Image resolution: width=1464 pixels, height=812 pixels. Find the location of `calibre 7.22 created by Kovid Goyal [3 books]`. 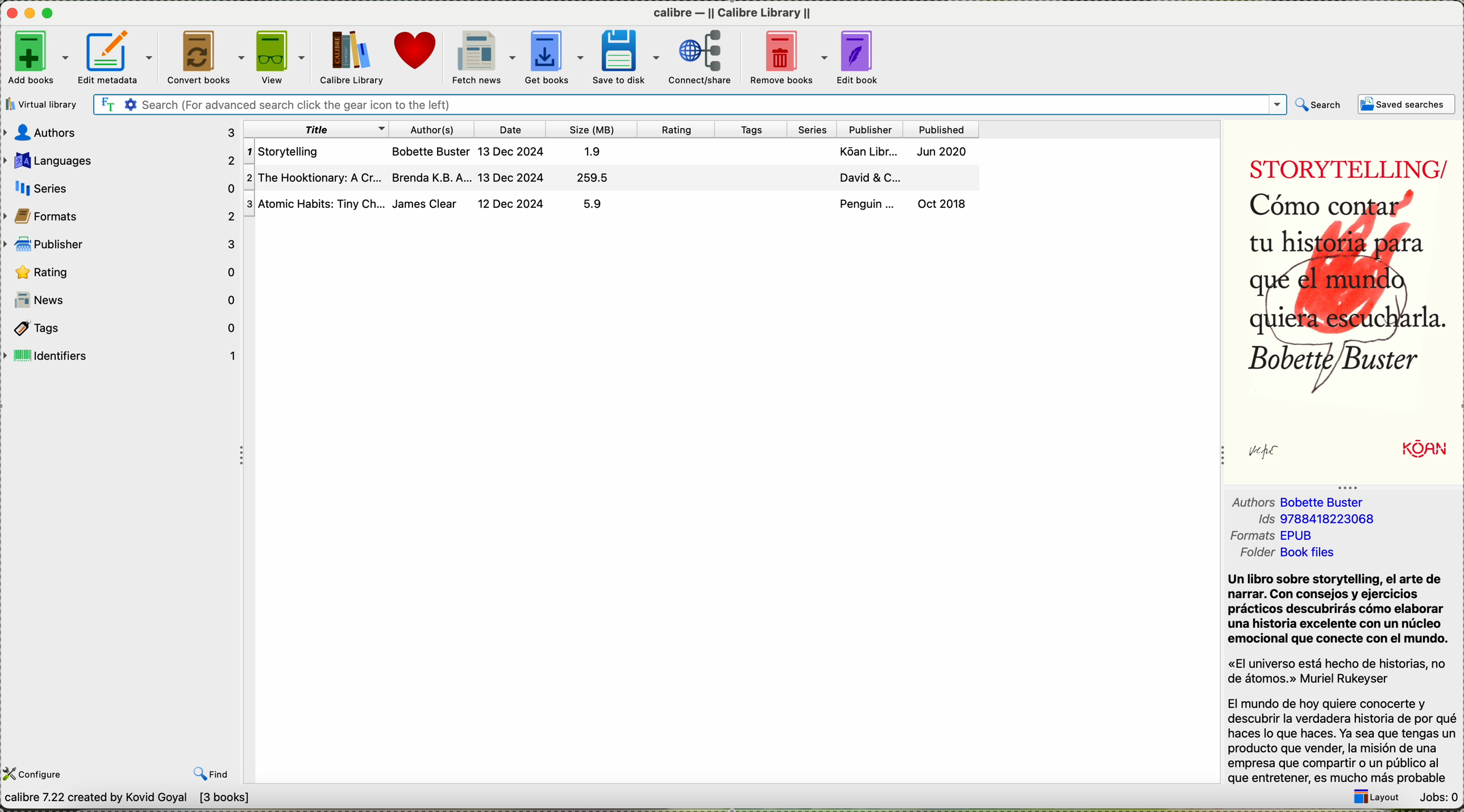

calibre 7.22 created by Kovid Goyal [3 books] is located at coordinates (129, 799).